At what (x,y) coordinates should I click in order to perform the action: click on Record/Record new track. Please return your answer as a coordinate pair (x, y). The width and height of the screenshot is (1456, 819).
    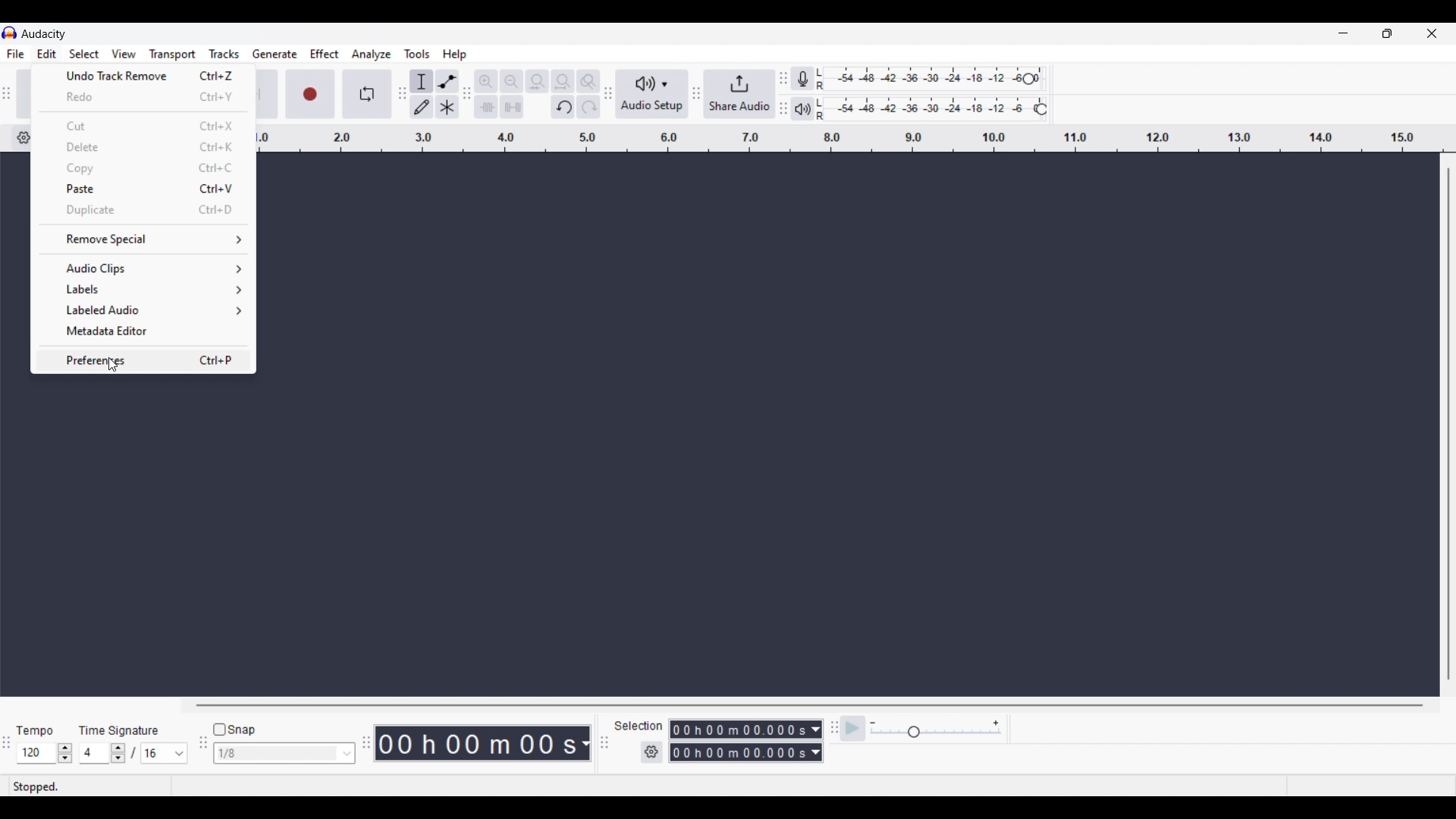
    Looking at the image, I should click on (311, 93).